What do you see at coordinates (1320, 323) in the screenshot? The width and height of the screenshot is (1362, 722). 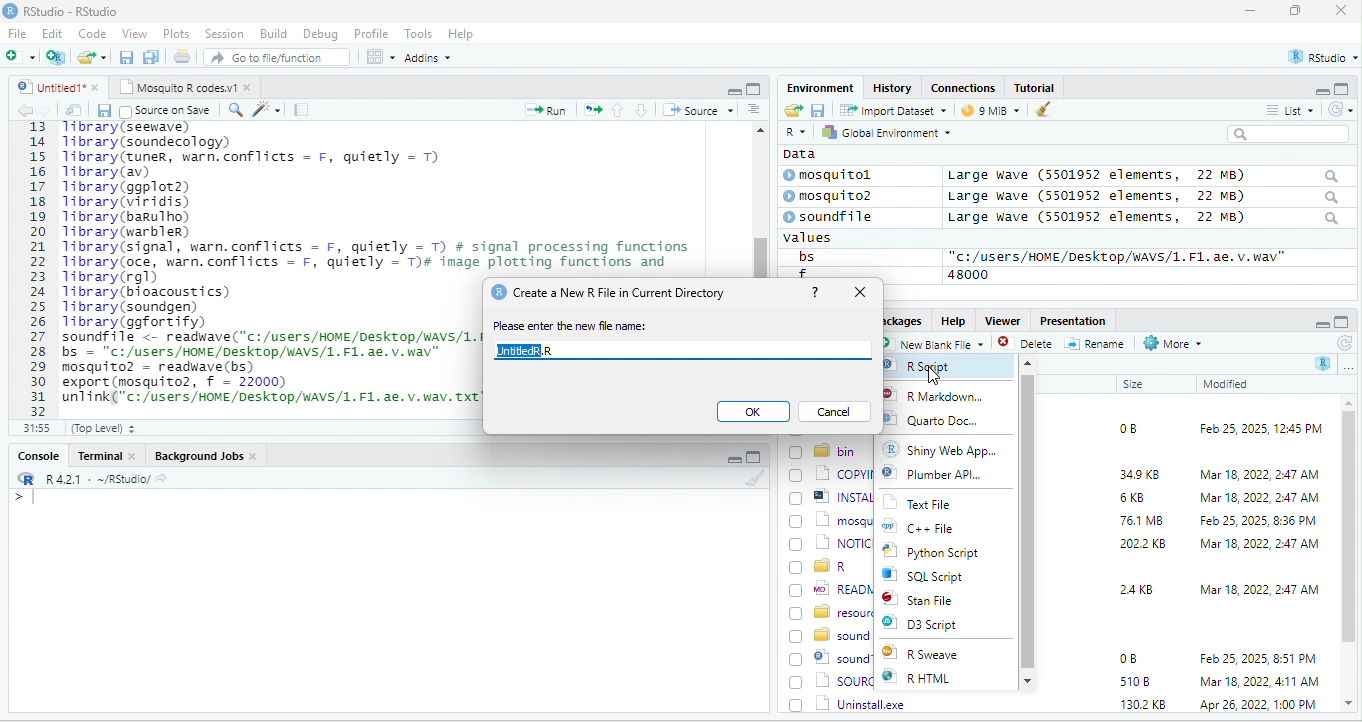 I see `minimize` at bounding box center [1320, 323].